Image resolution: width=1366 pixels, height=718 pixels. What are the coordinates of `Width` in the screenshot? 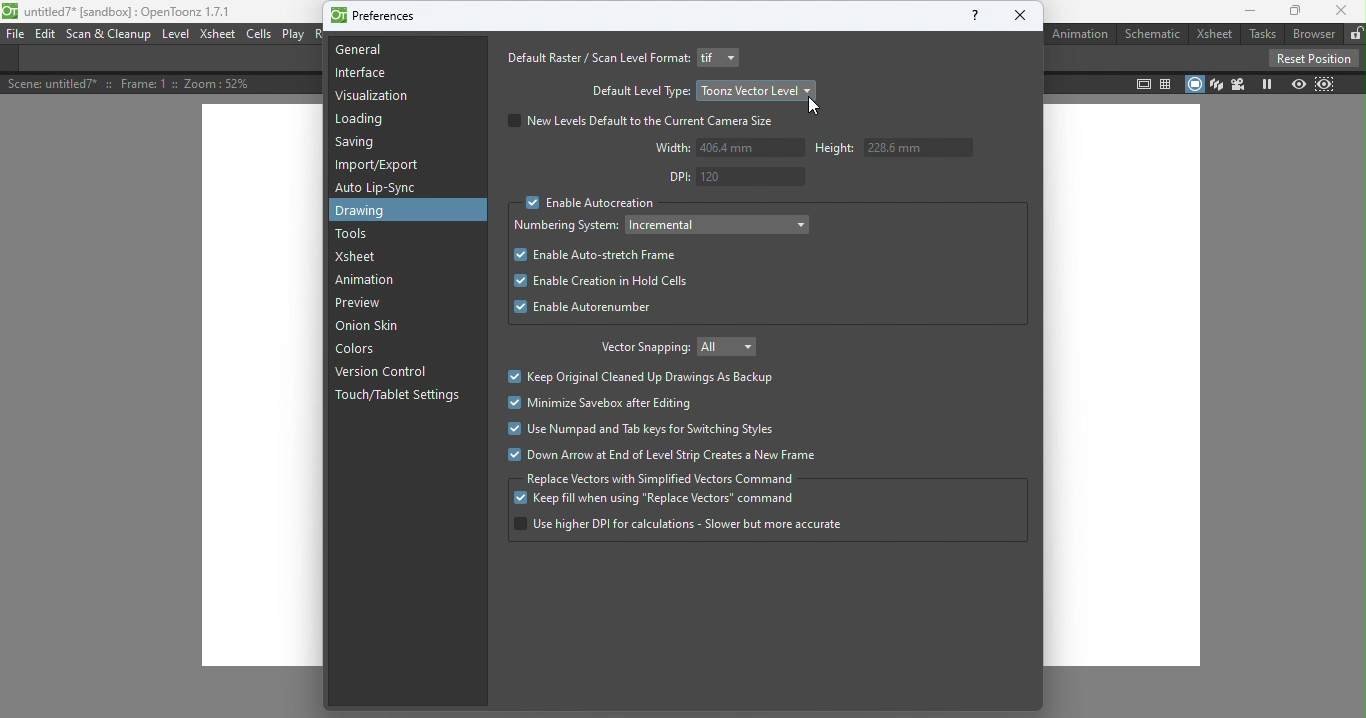 It's located at (721, 149).